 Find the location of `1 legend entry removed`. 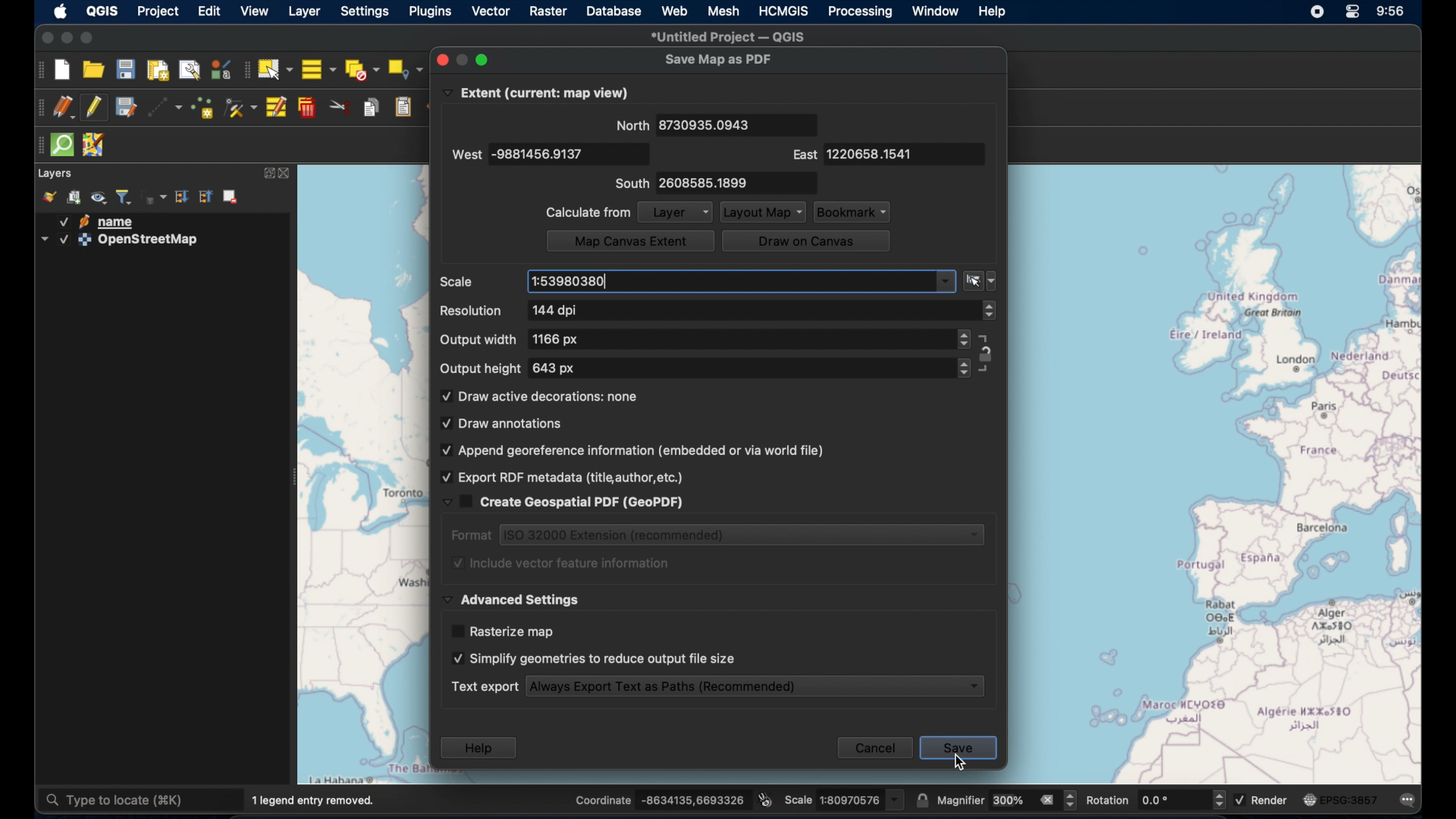

1 legend entry removed is located at coordinates (317, 800).